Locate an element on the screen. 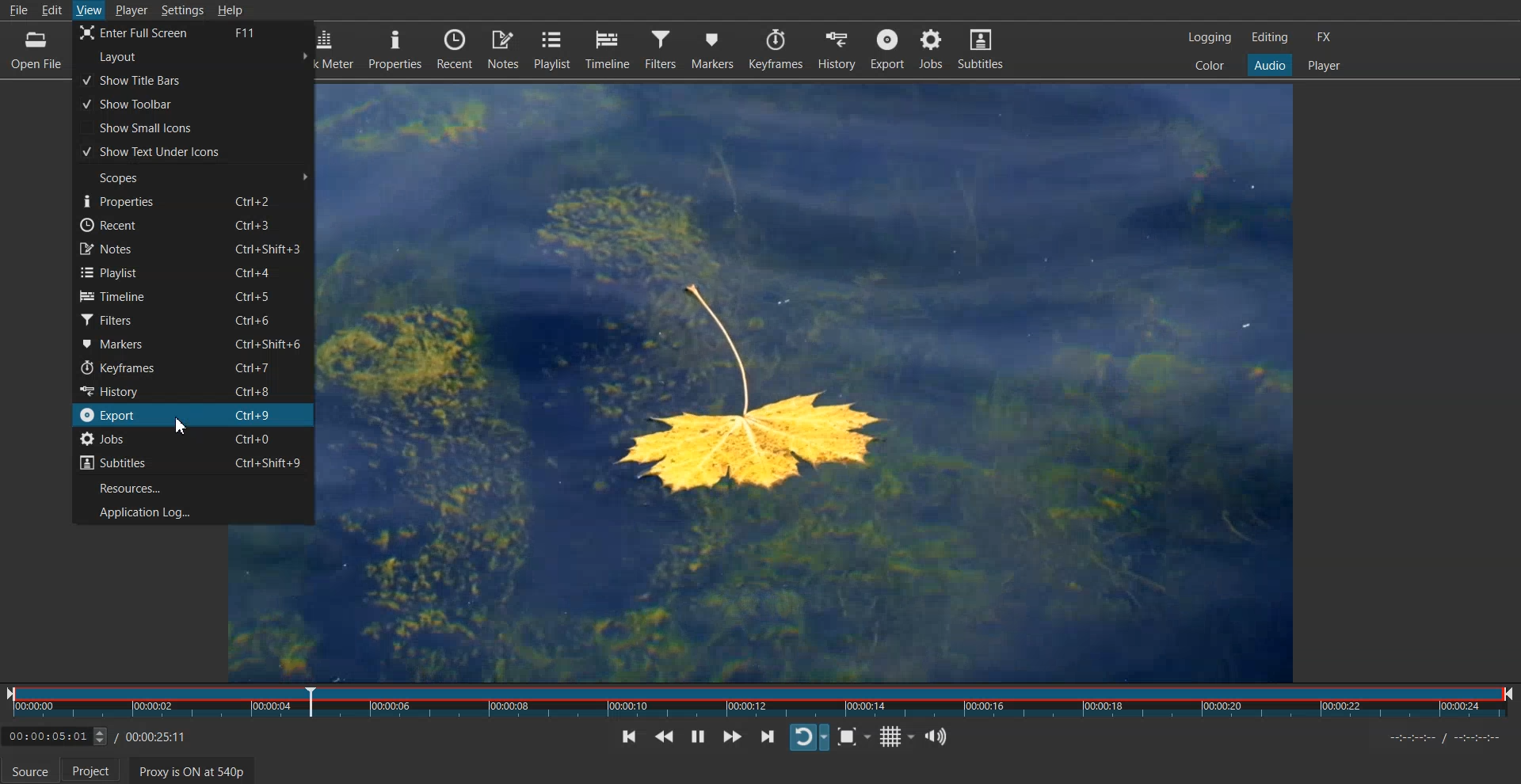  Peak meter is located at coordinates (340, 48).